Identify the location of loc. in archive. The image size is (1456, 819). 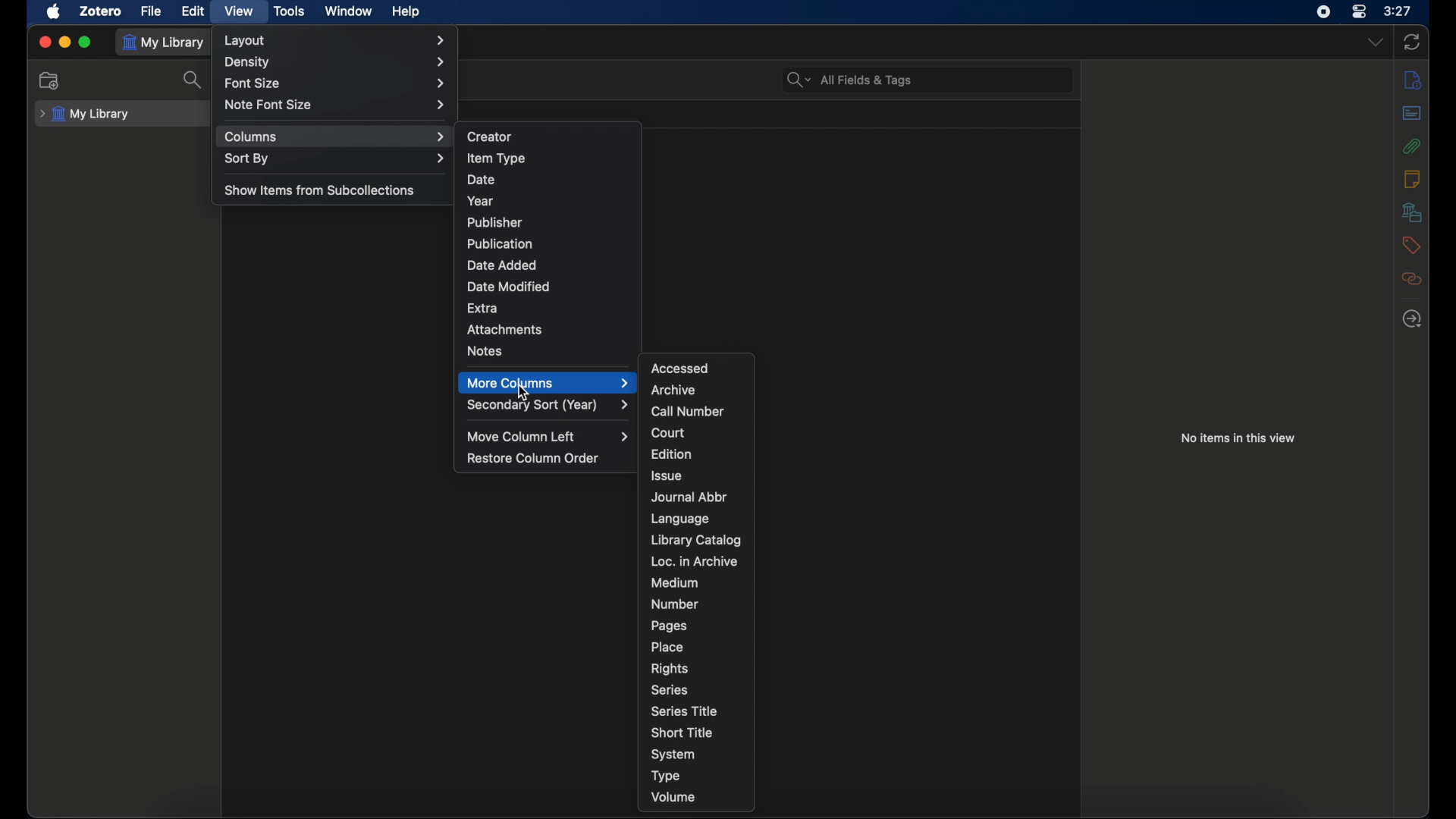
(695, 562).